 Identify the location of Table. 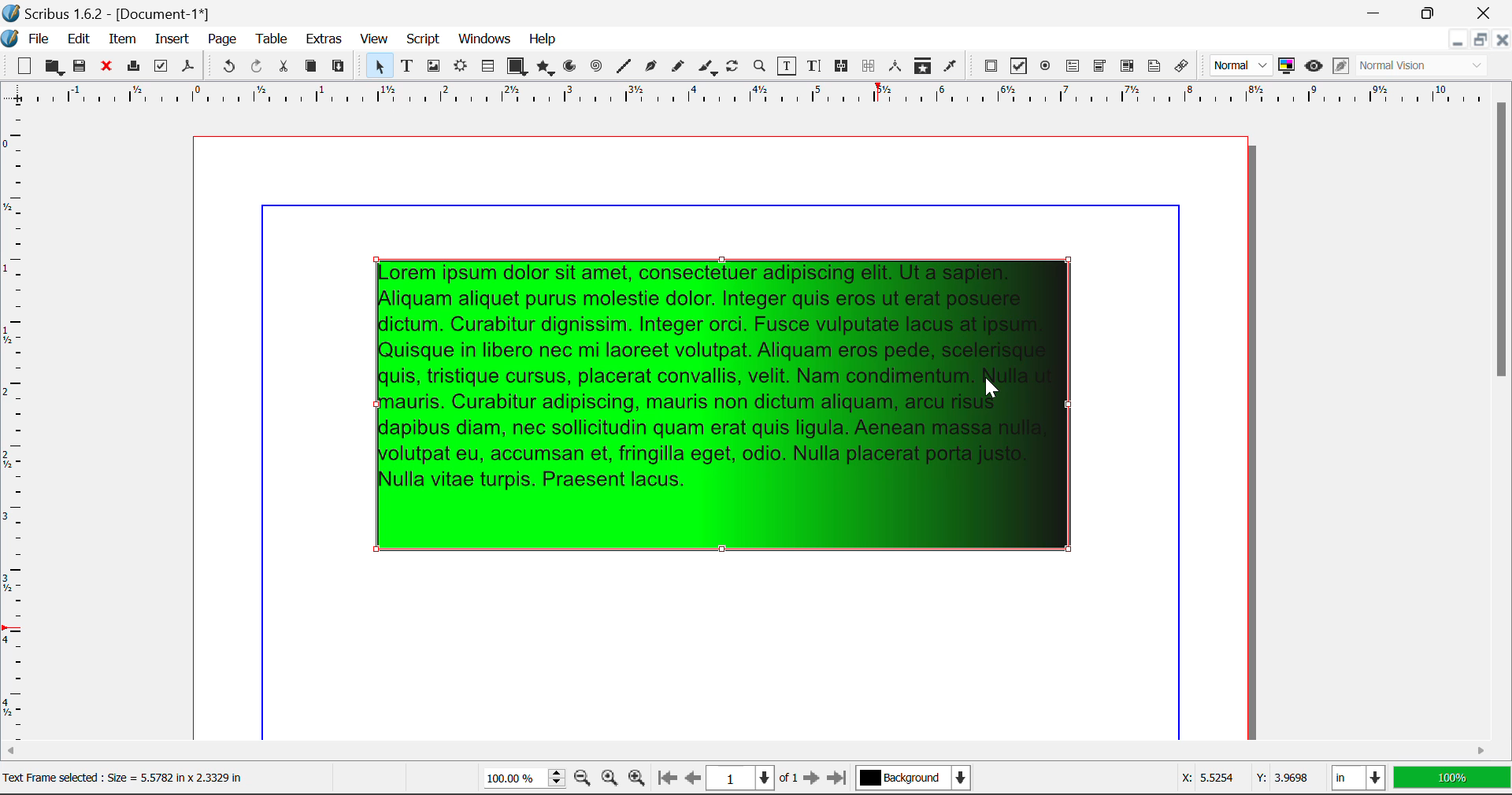
(270, 40).